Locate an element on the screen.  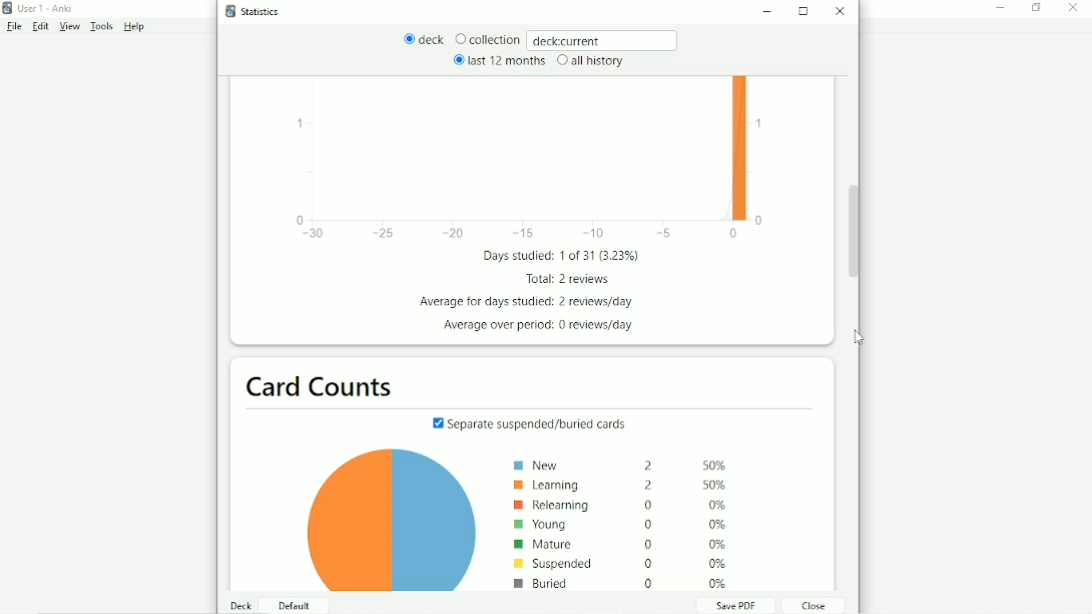
Average for days studied: 2 reviews/day is located at coordinates (531, 302).